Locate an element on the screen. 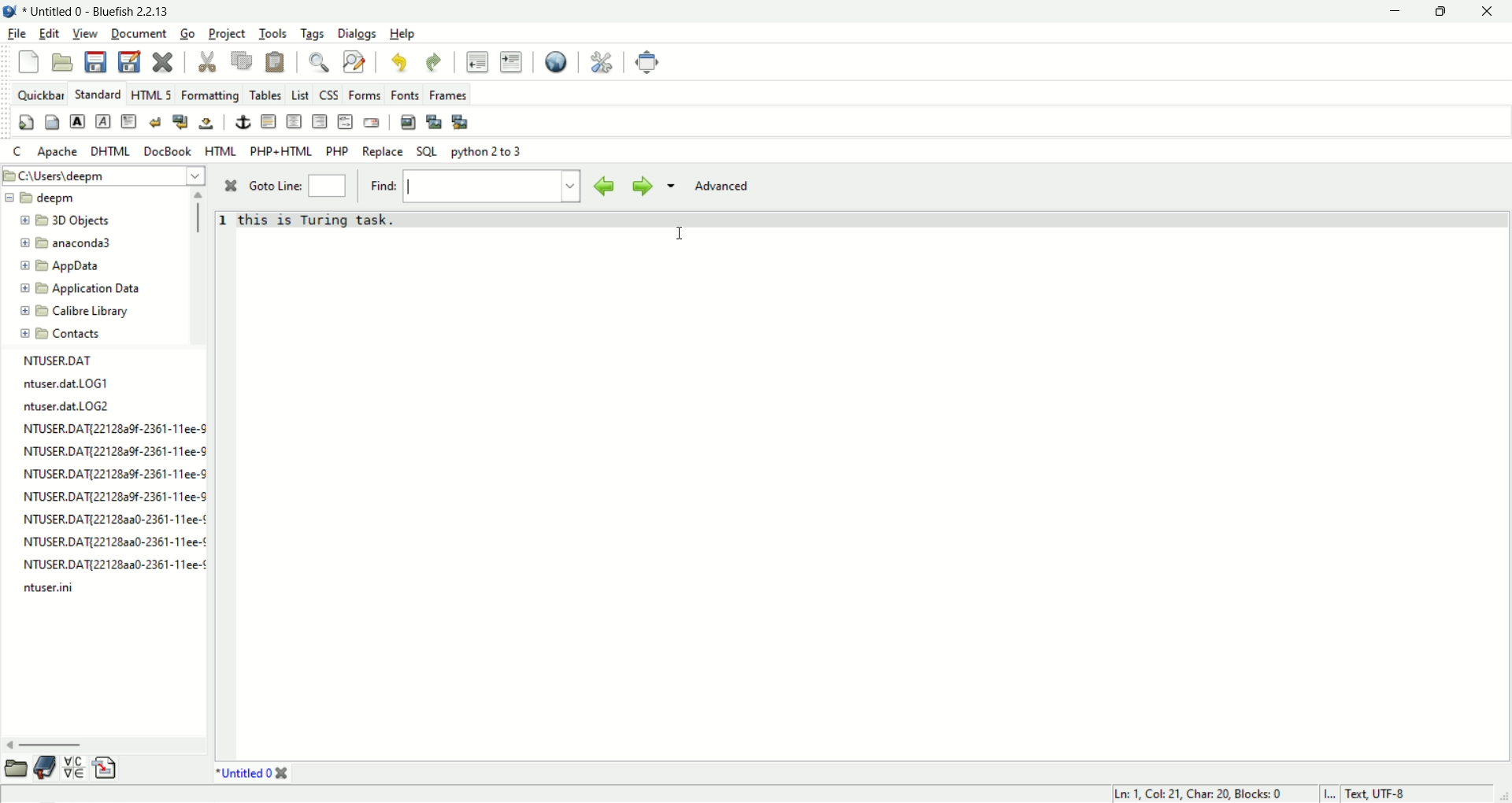 The width and height of the screenshot is (1512, 803). tables is located at coordinates (266, 95).